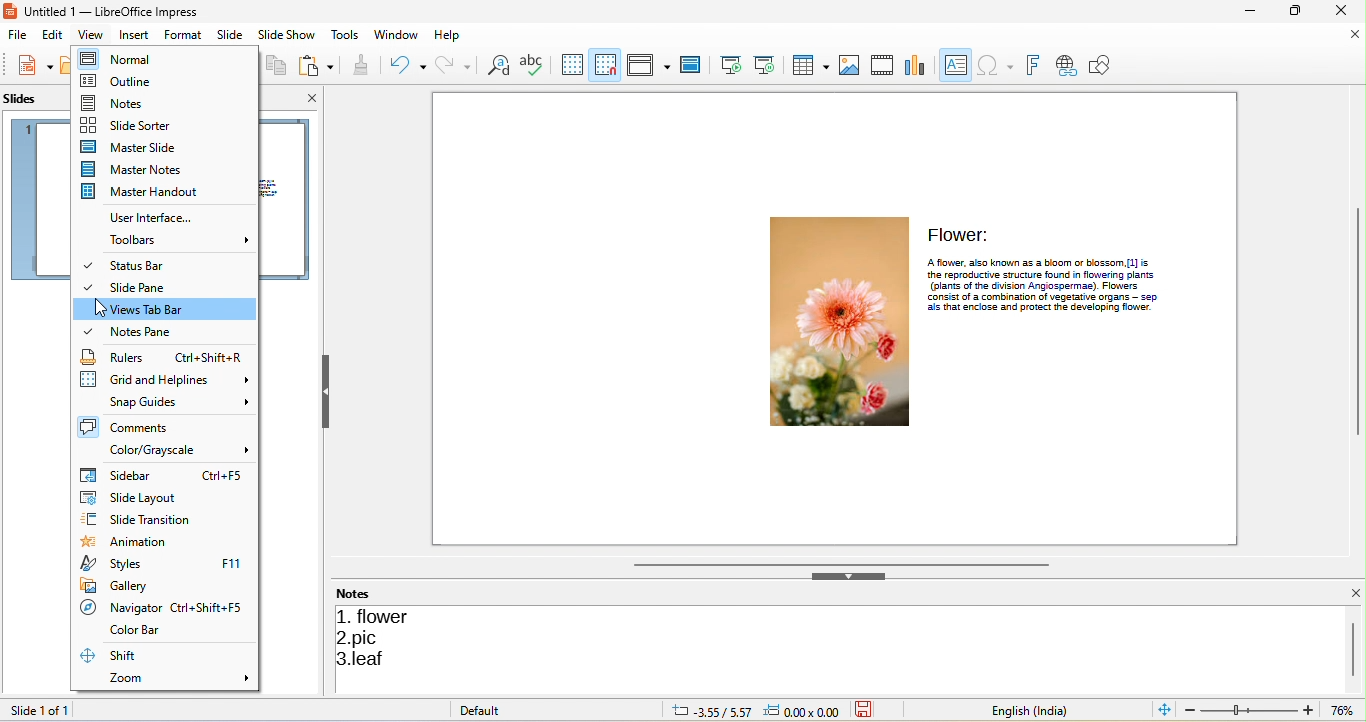 The height and width of the screenshot is (722, 1366). I want to click on chart, so click(912, 64).